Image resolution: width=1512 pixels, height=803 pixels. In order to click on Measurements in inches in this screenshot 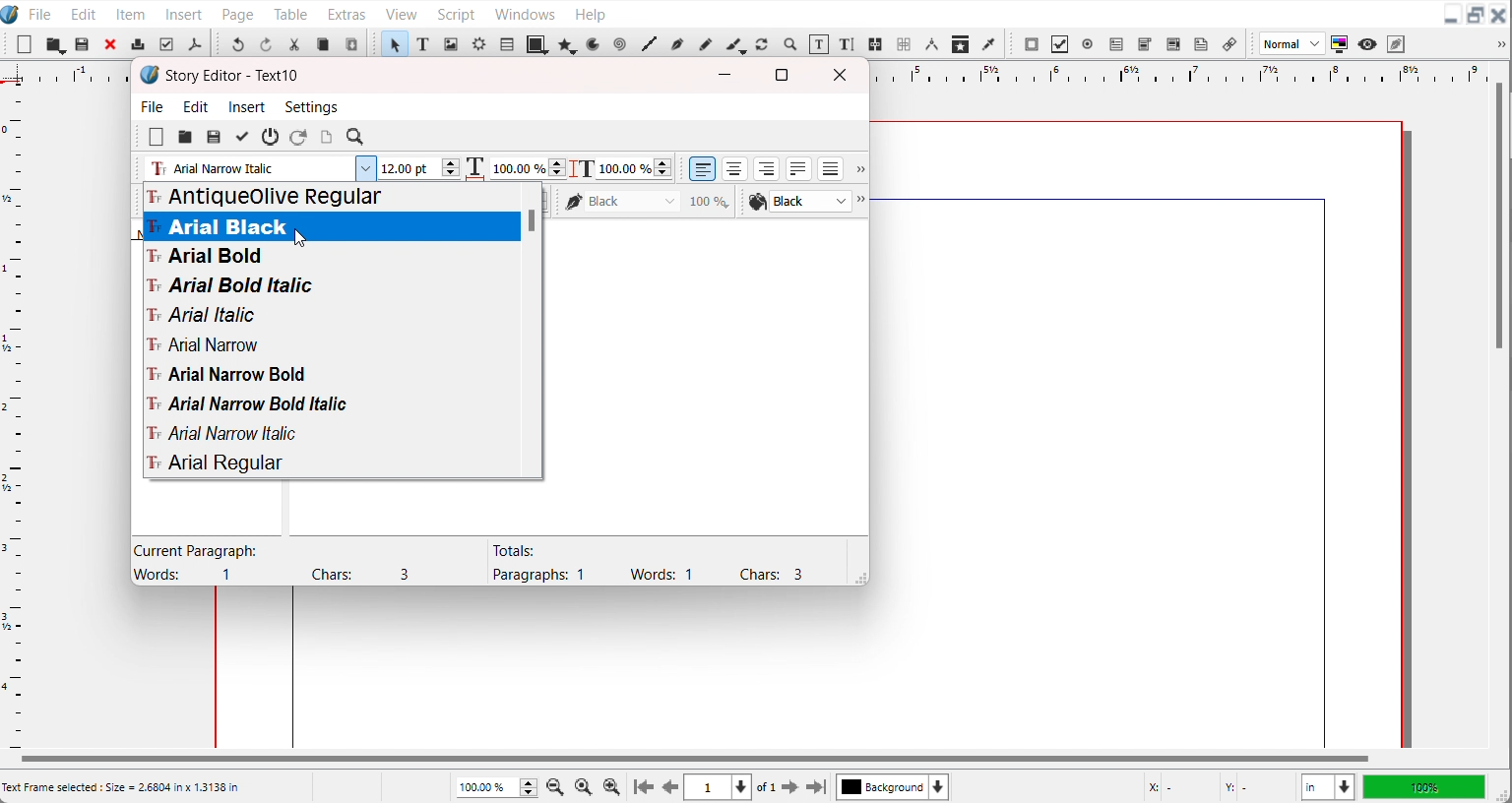, I will do `click(1328, 787)`.